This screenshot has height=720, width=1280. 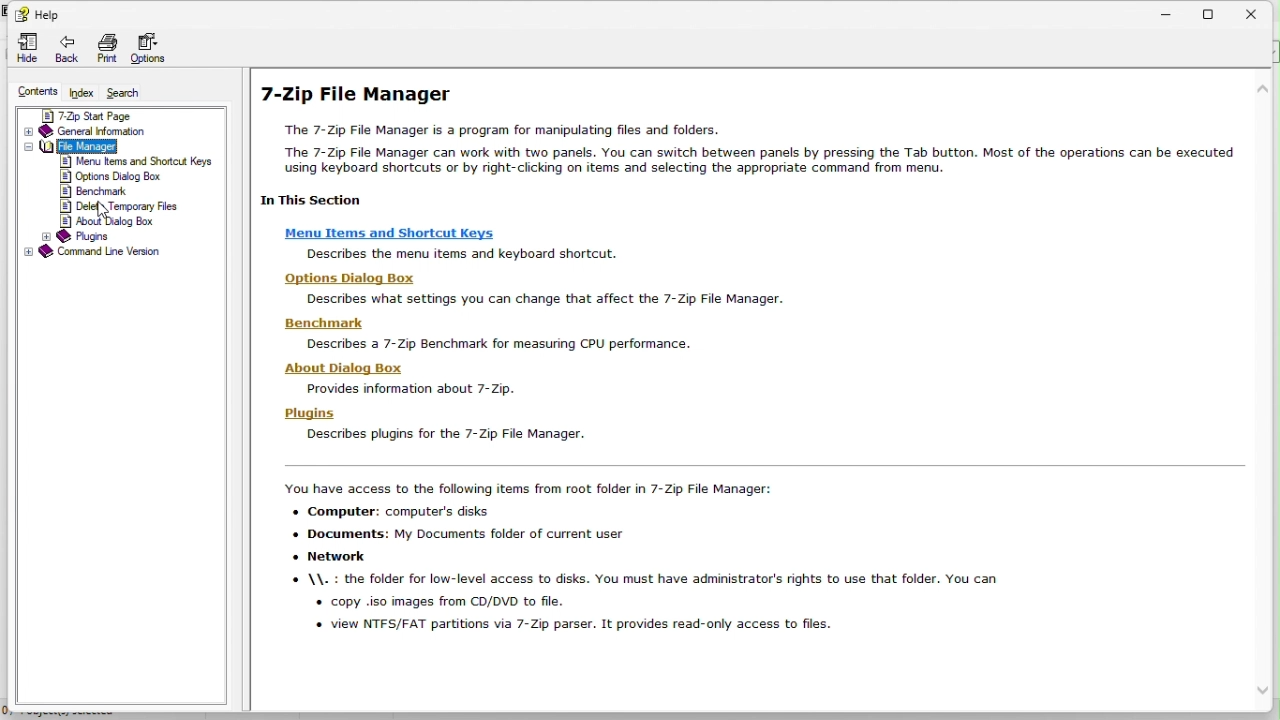 What do you see at coordinates (127, 222) in the screenshot?
I see `about dialog box` at bounding box center [127, 222].